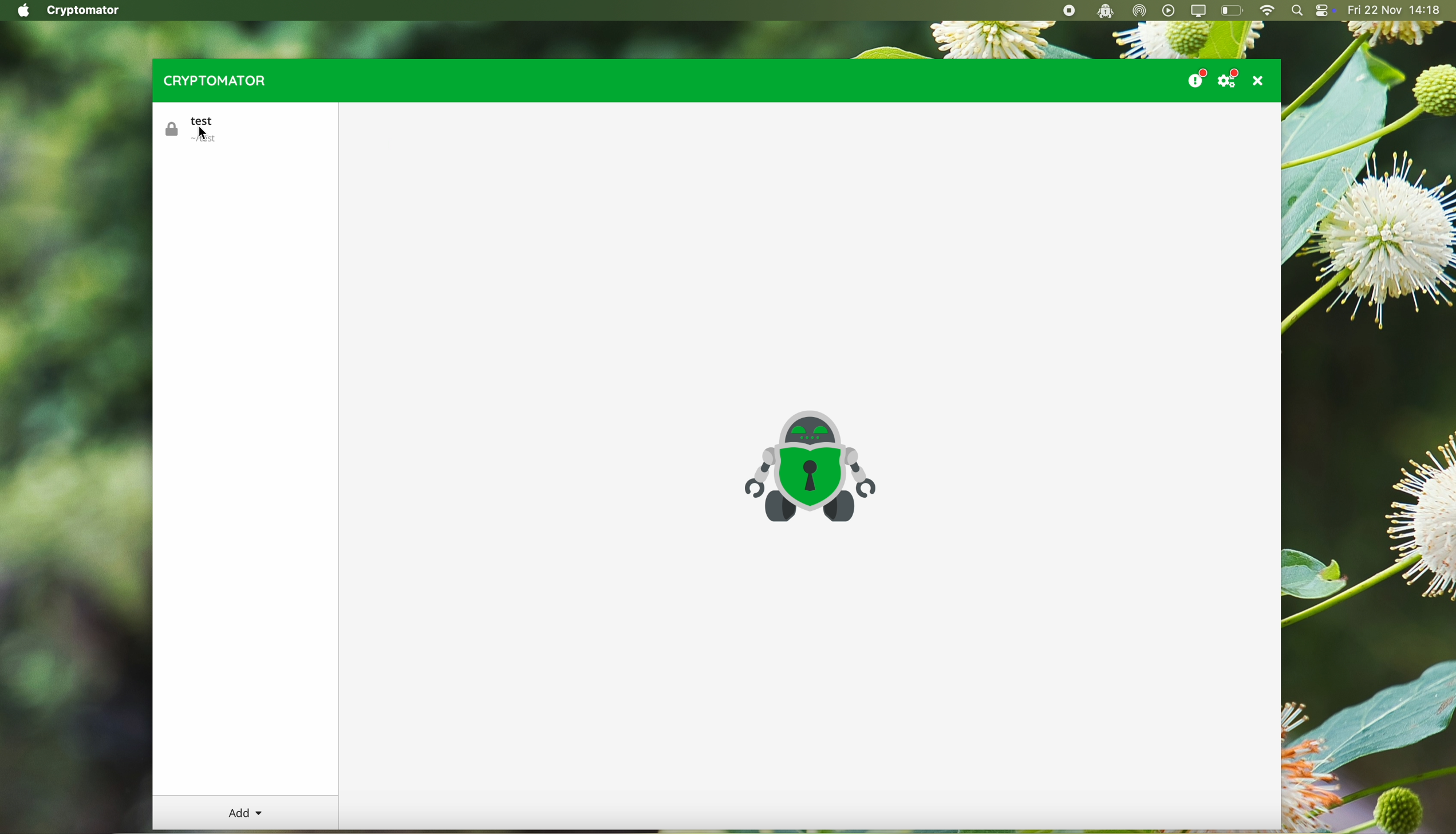  What do you see at coordinates (1067, 11) in the screenshot?
I see `stop recording` at bounding box center [1067, 11].